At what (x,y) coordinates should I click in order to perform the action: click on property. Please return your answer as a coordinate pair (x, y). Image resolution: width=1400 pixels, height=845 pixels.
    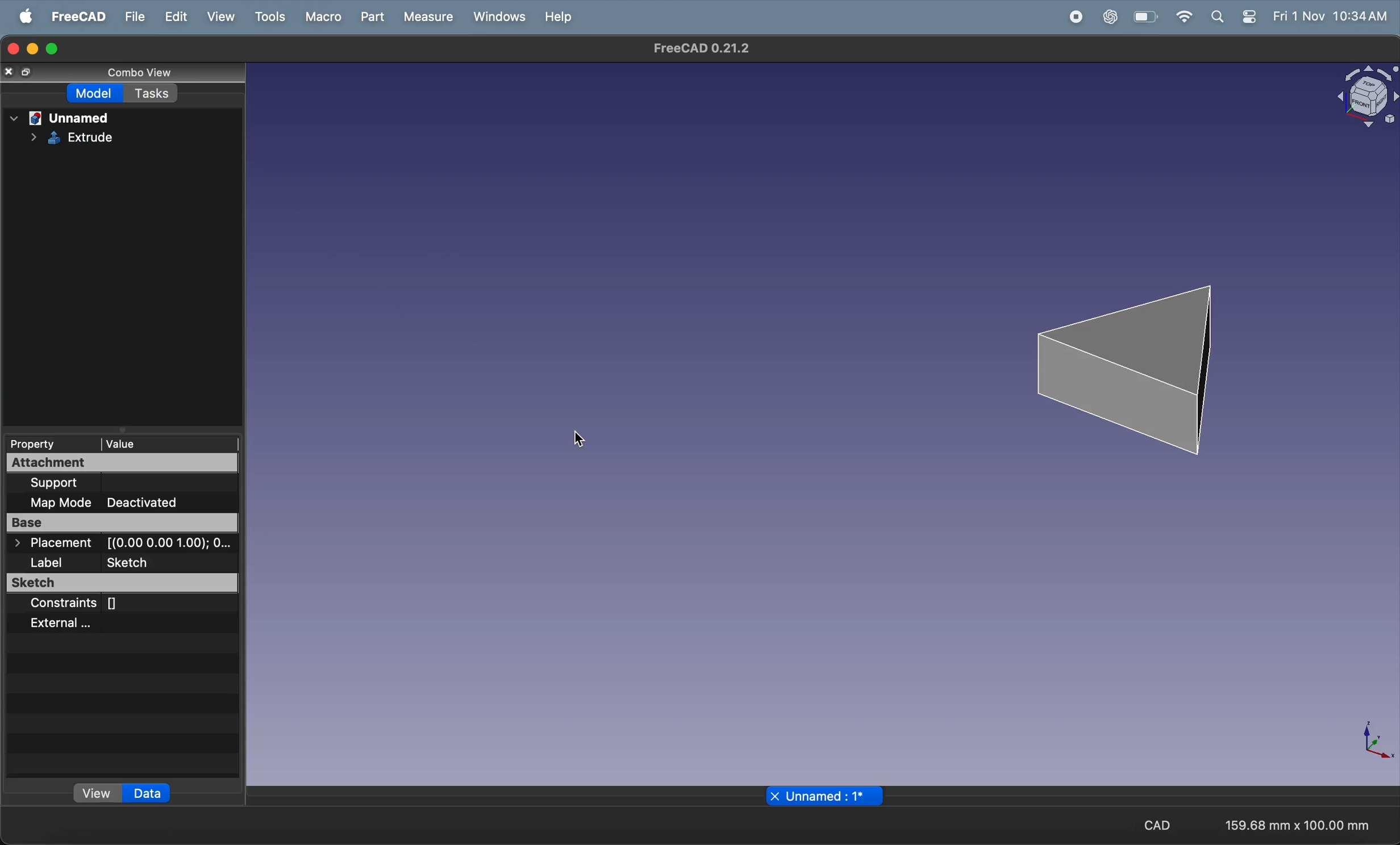
    Looking at the image, I should click on (39, 443).